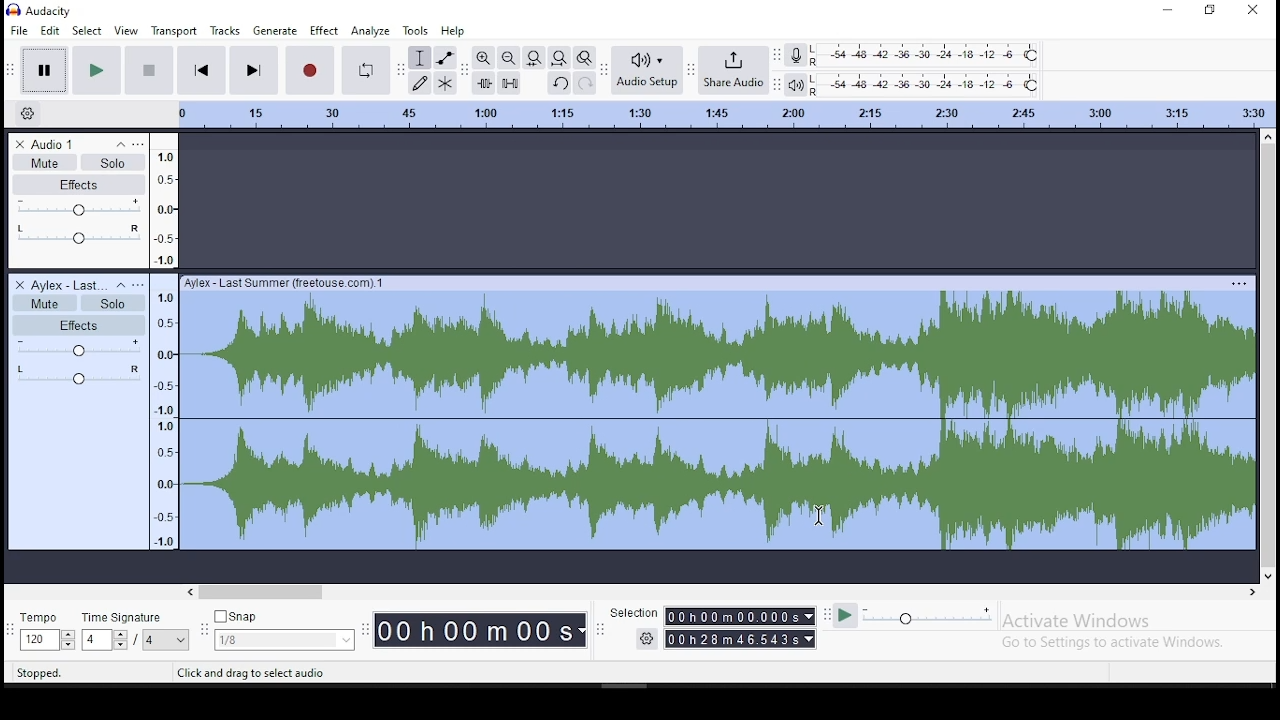 This screenshot has height=720, width=1280. Describe the element at coordinates (18, 284) in the screenshot. I see `delete track` at that location.